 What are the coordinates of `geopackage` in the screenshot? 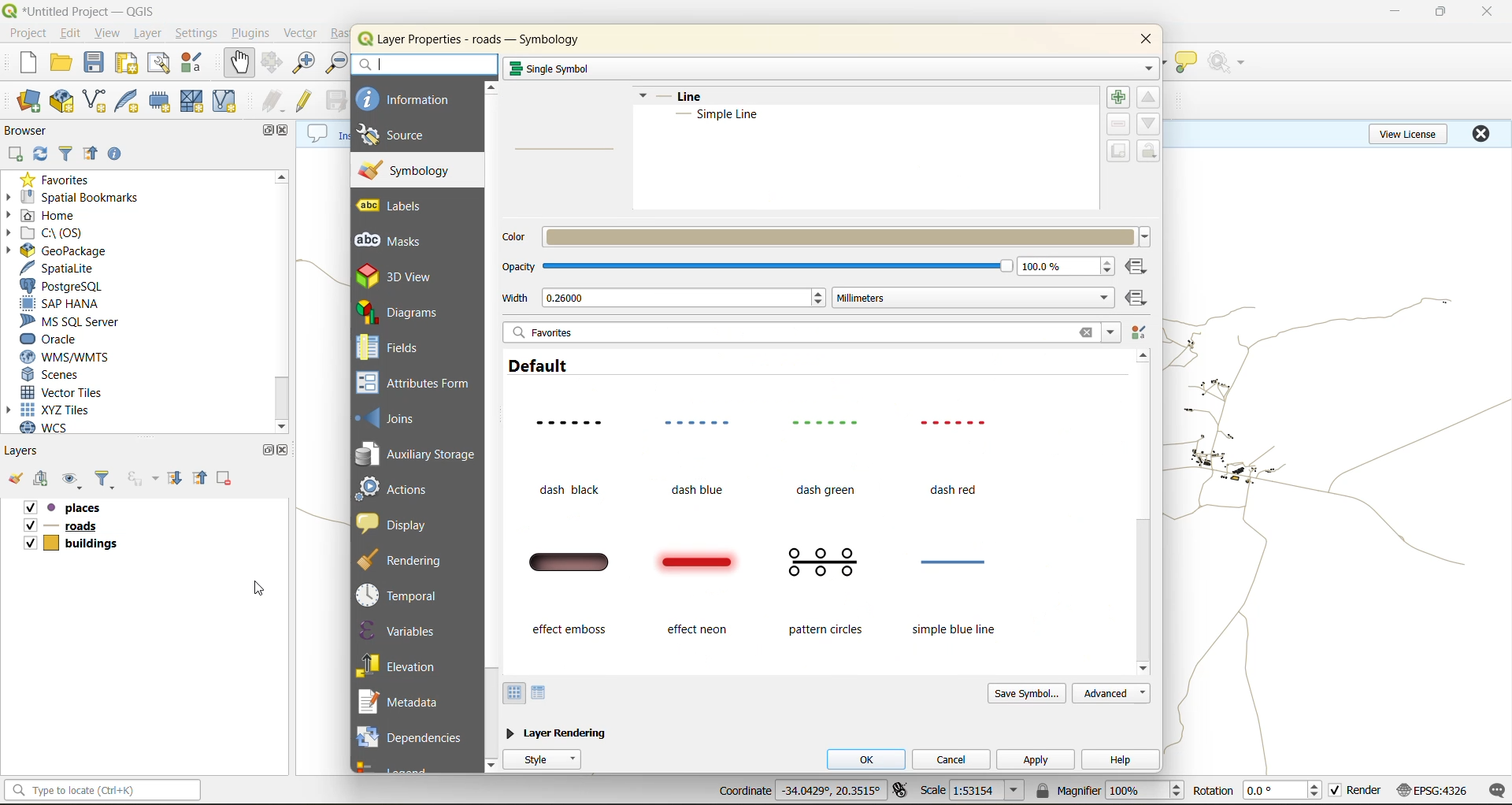 It's located at (94, 250).